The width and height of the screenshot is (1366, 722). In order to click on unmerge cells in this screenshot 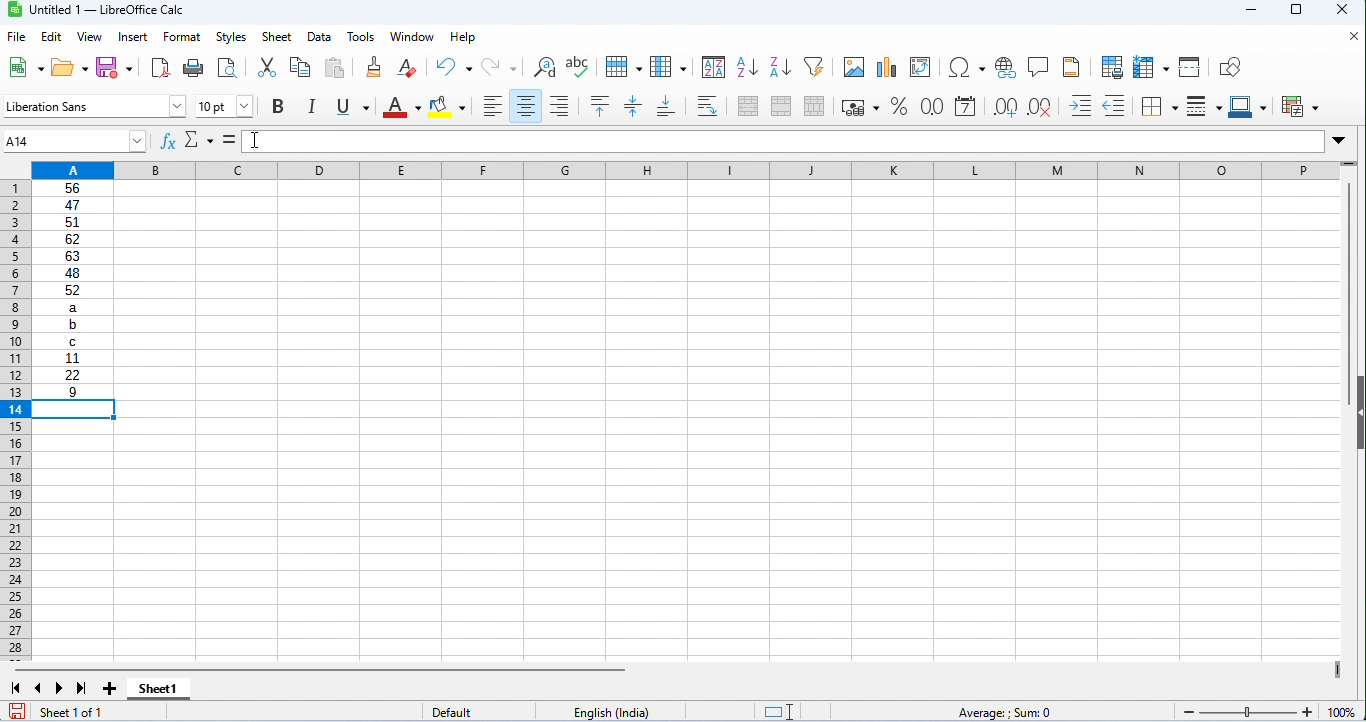, I will do `click(815, 106)`.